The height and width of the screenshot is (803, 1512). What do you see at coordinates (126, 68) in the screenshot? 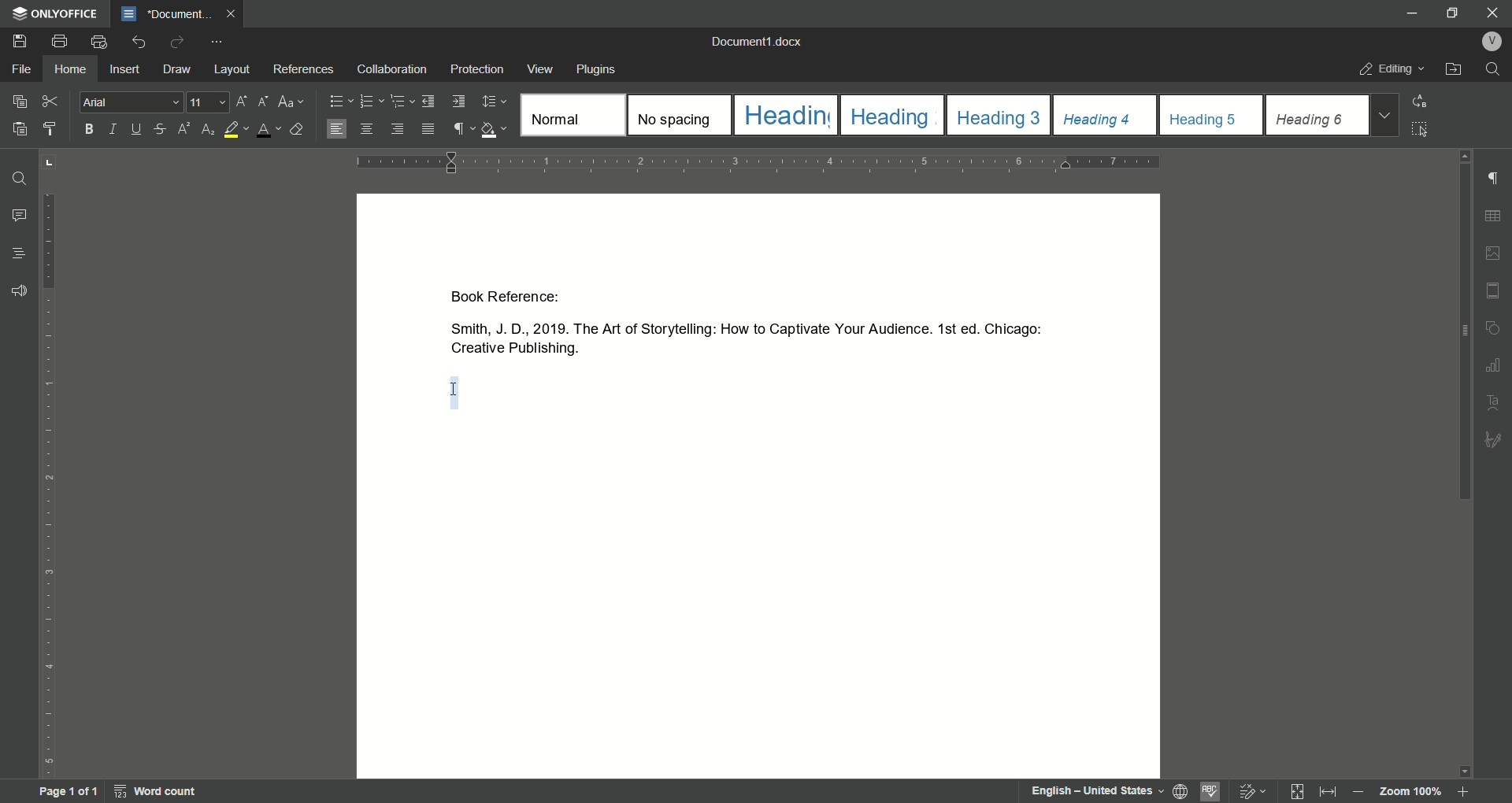
I see `insert` at bounding box center [126, 68].